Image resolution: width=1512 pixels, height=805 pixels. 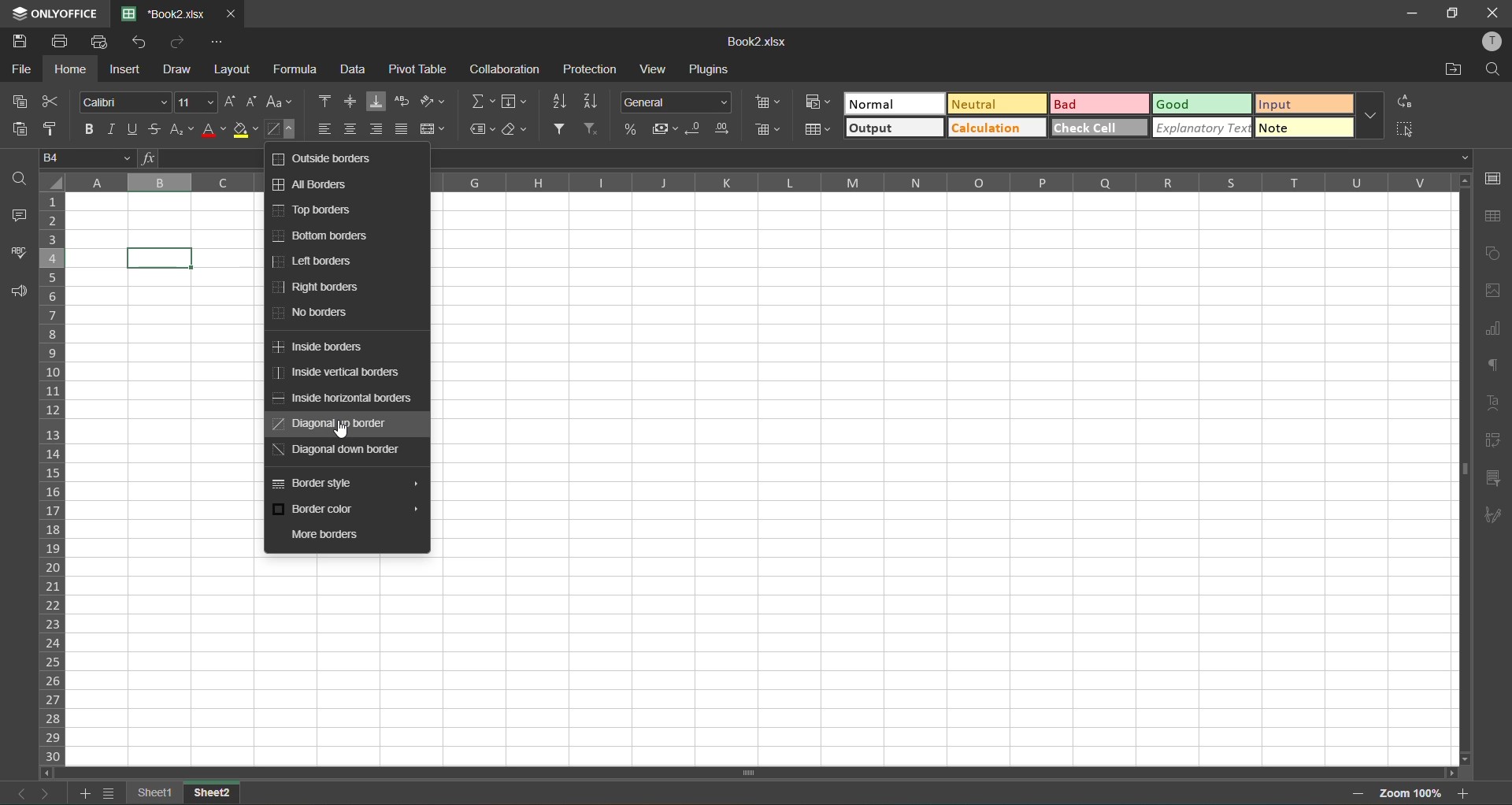 What do you see at coordinates (298, 71) in the screenshot?
I see `formula` at bounding box center [298, 71].